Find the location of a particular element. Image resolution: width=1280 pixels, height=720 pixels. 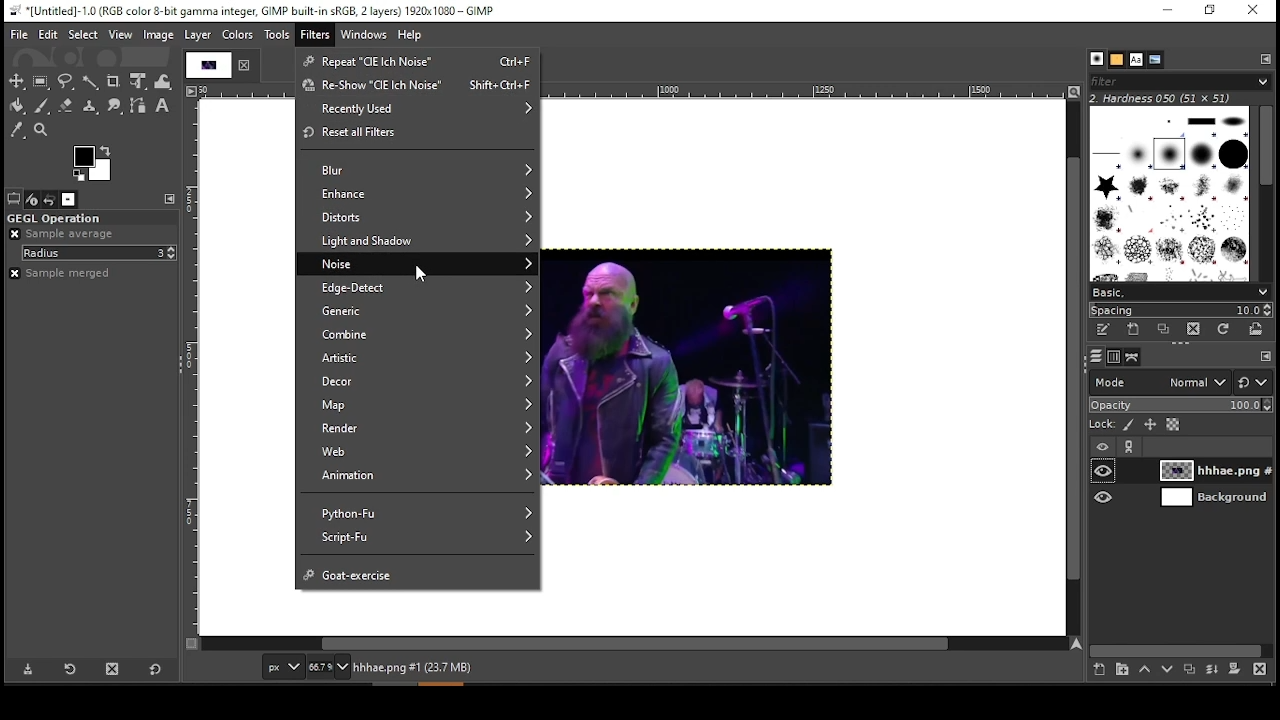

recently used is located at coordinates (418, 110).